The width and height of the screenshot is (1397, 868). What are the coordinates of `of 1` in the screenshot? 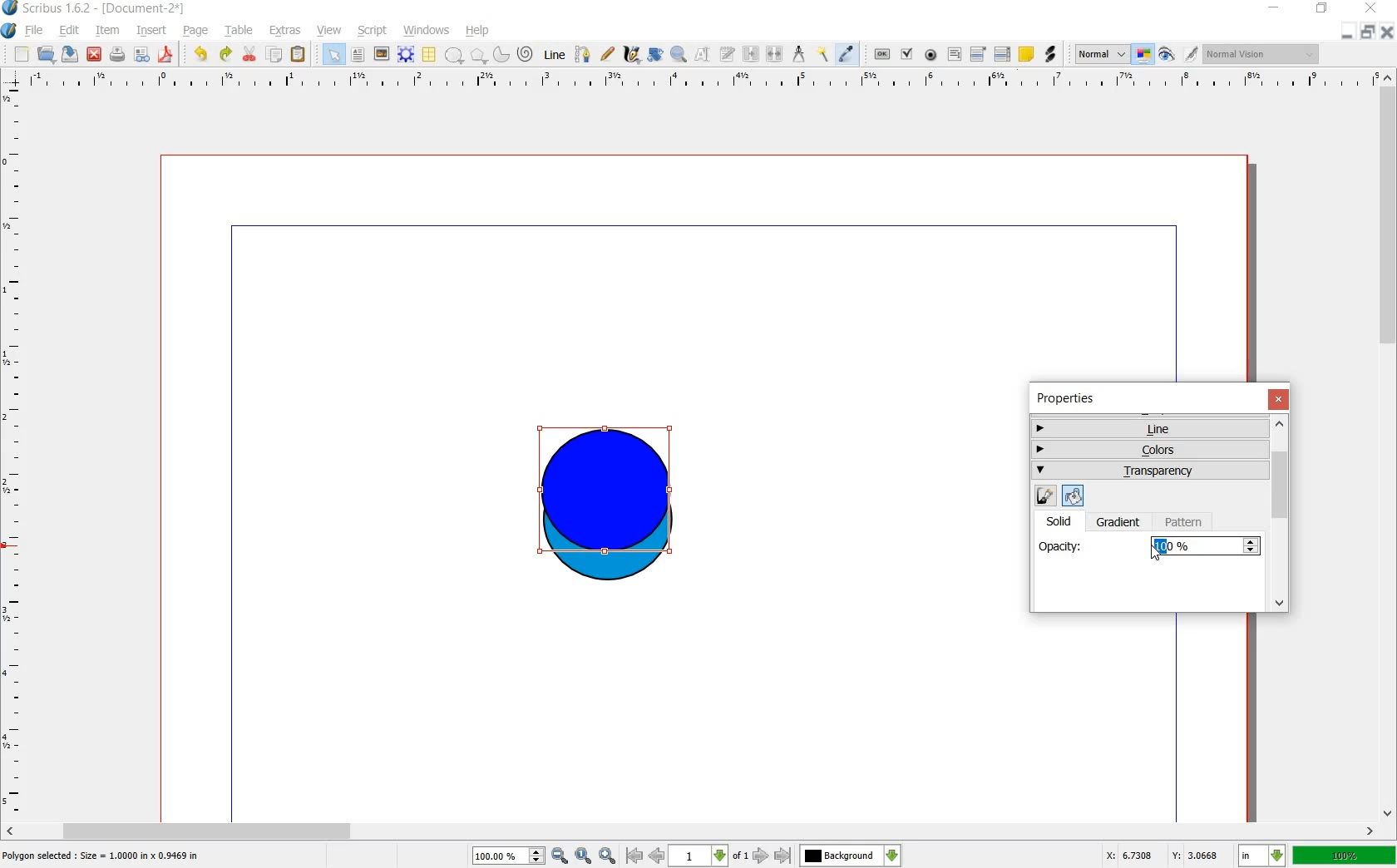 It's located at (740, 856).